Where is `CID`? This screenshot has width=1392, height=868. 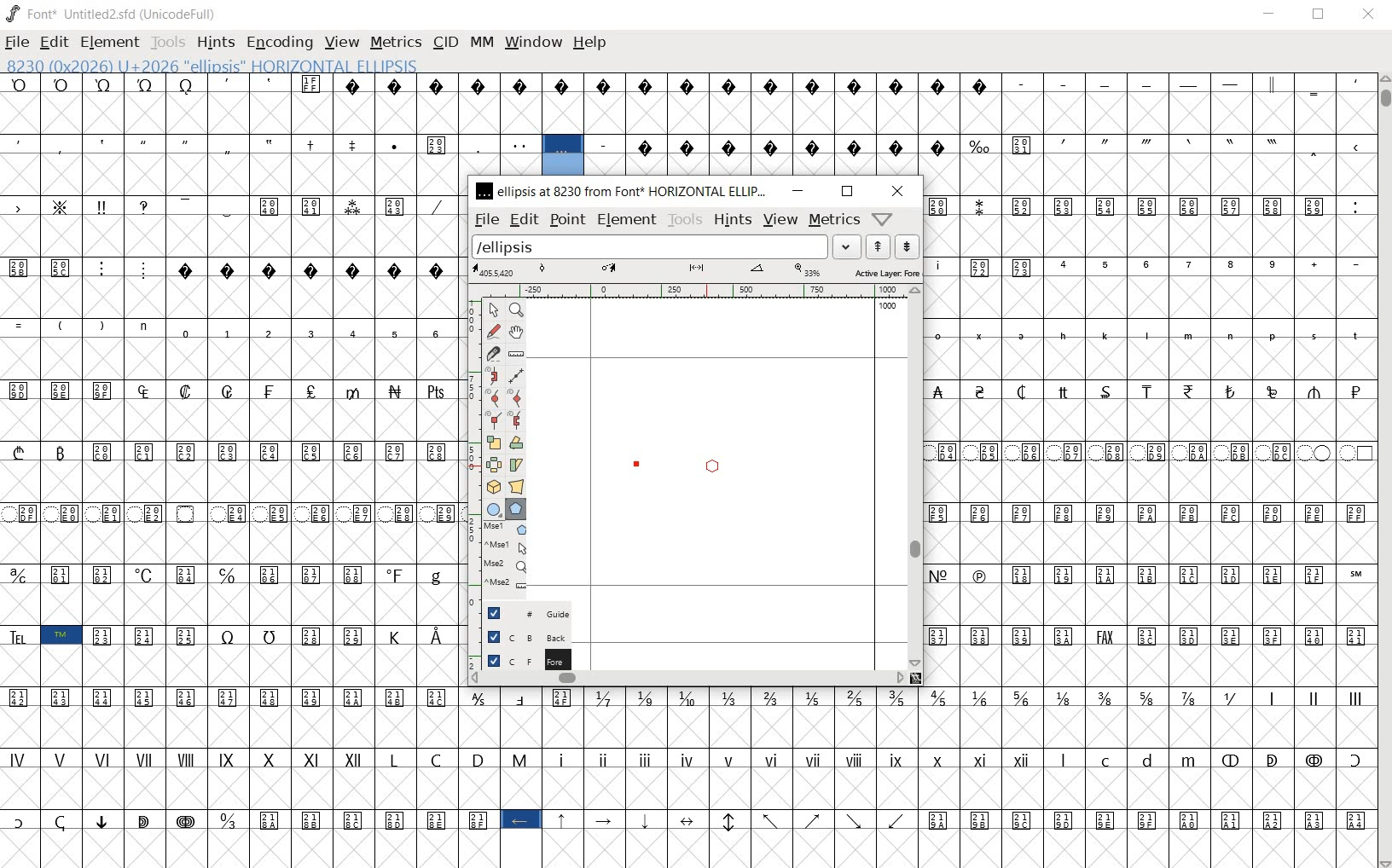 CID is located at coordinates (445, 43).